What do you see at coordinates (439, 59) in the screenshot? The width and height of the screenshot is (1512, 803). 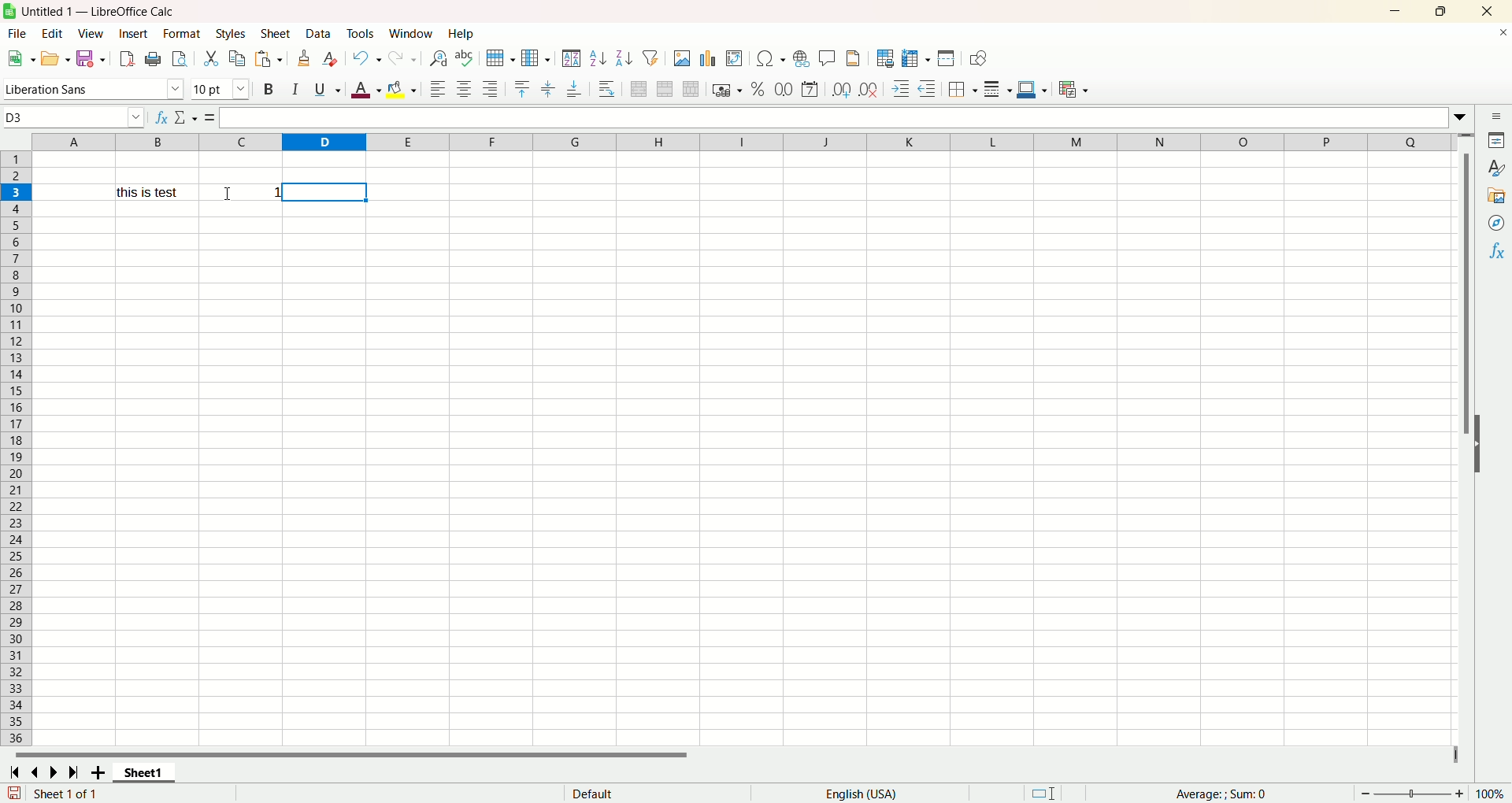 I see `find and replace` at bounding box center [439, 59].